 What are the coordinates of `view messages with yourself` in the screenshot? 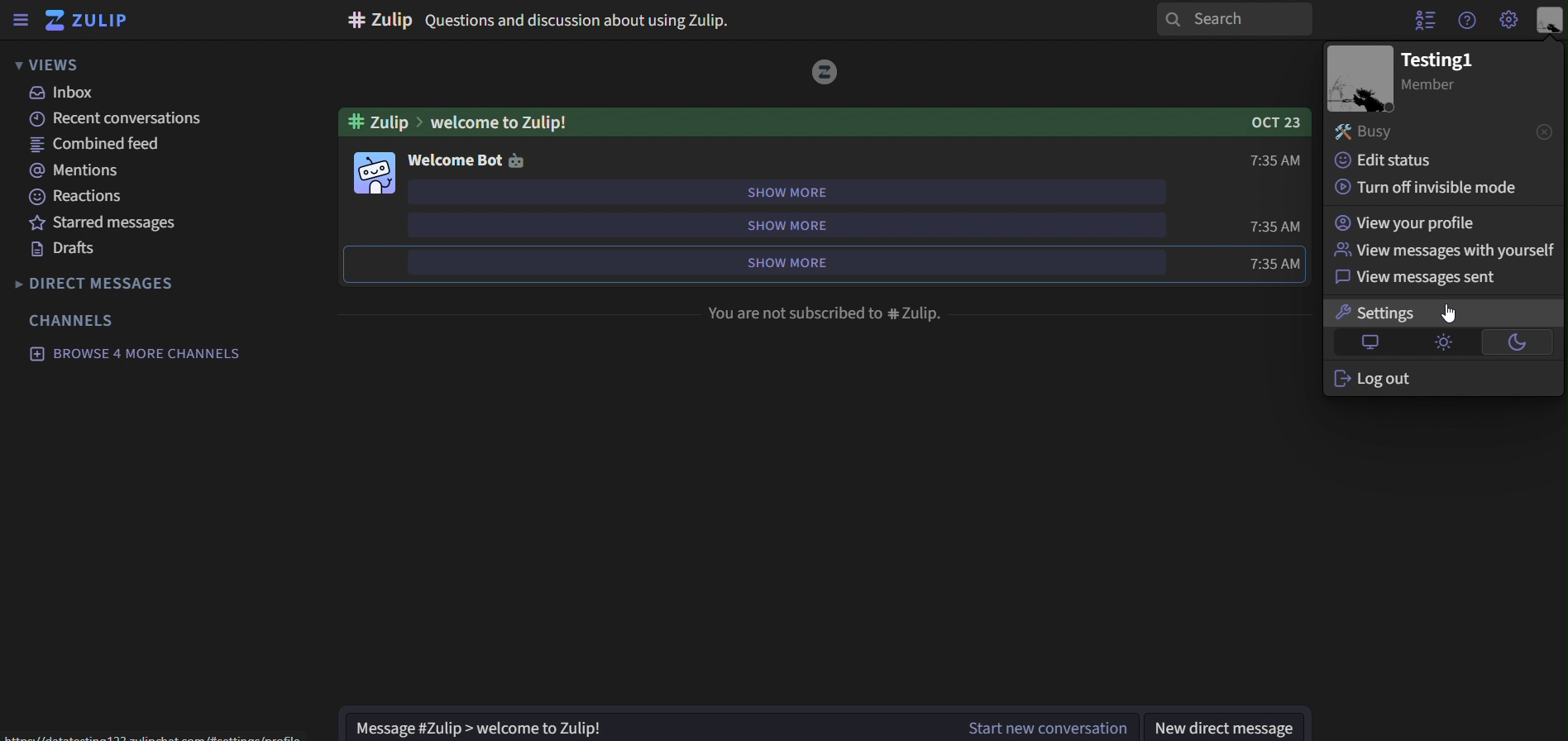 It's located at (1444, 249).